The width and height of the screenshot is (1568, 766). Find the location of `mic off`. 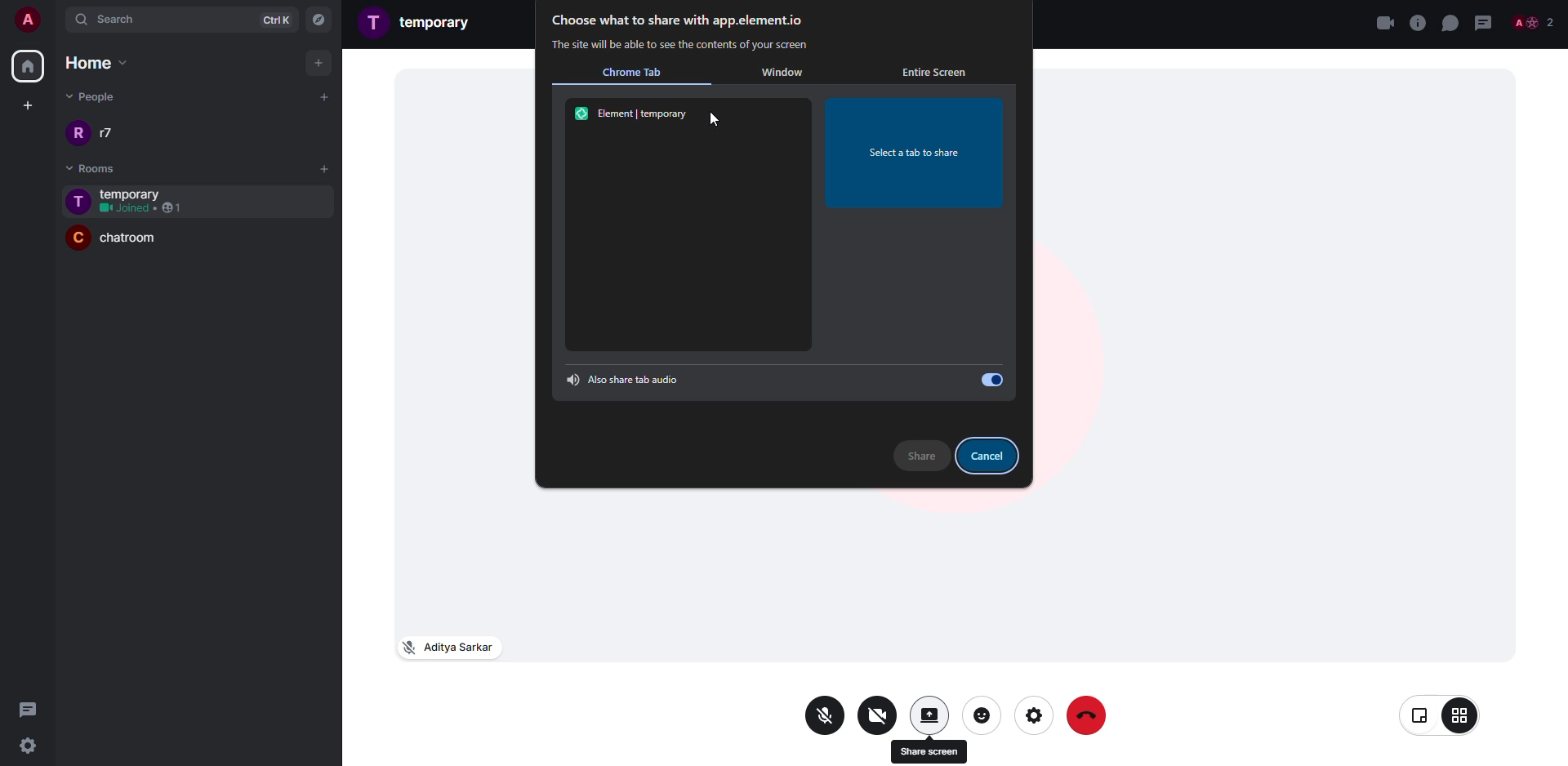

mic off is located at coordinates (826, 716).